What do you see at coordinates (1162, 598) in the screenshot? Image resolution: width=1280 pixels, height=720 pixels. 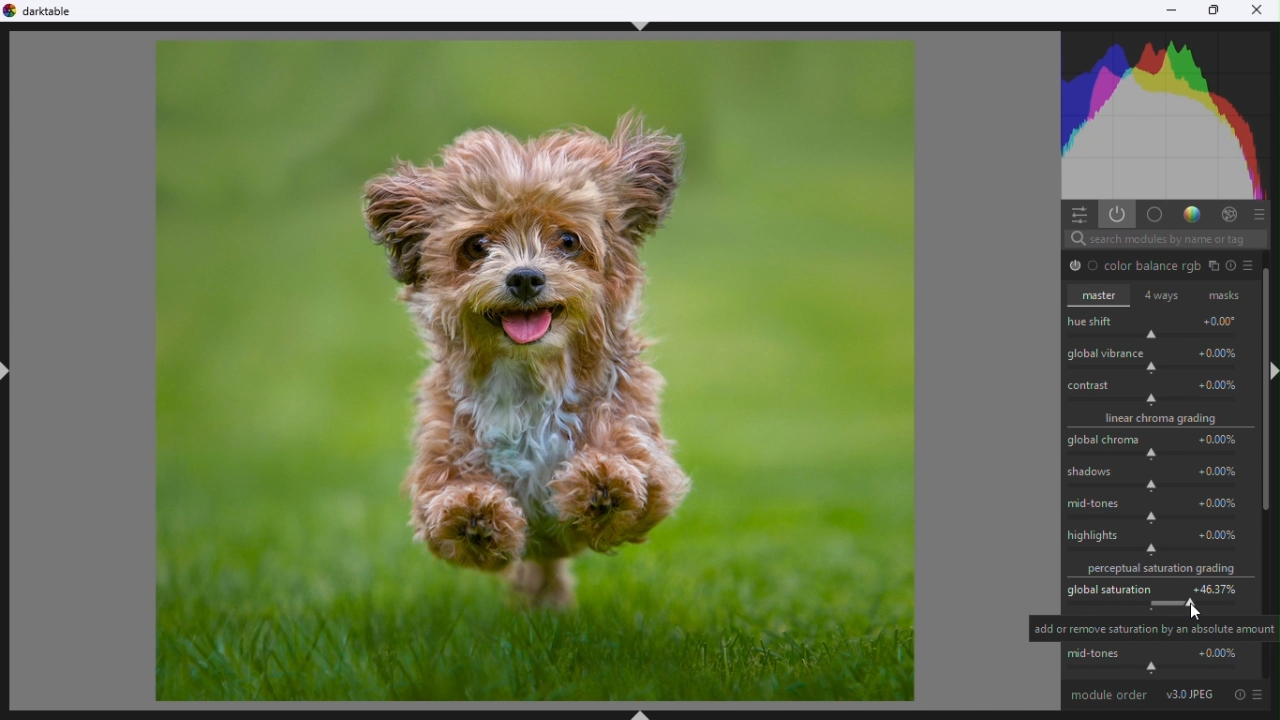 I see `Global saturation` at bounding box center [1162, 598].